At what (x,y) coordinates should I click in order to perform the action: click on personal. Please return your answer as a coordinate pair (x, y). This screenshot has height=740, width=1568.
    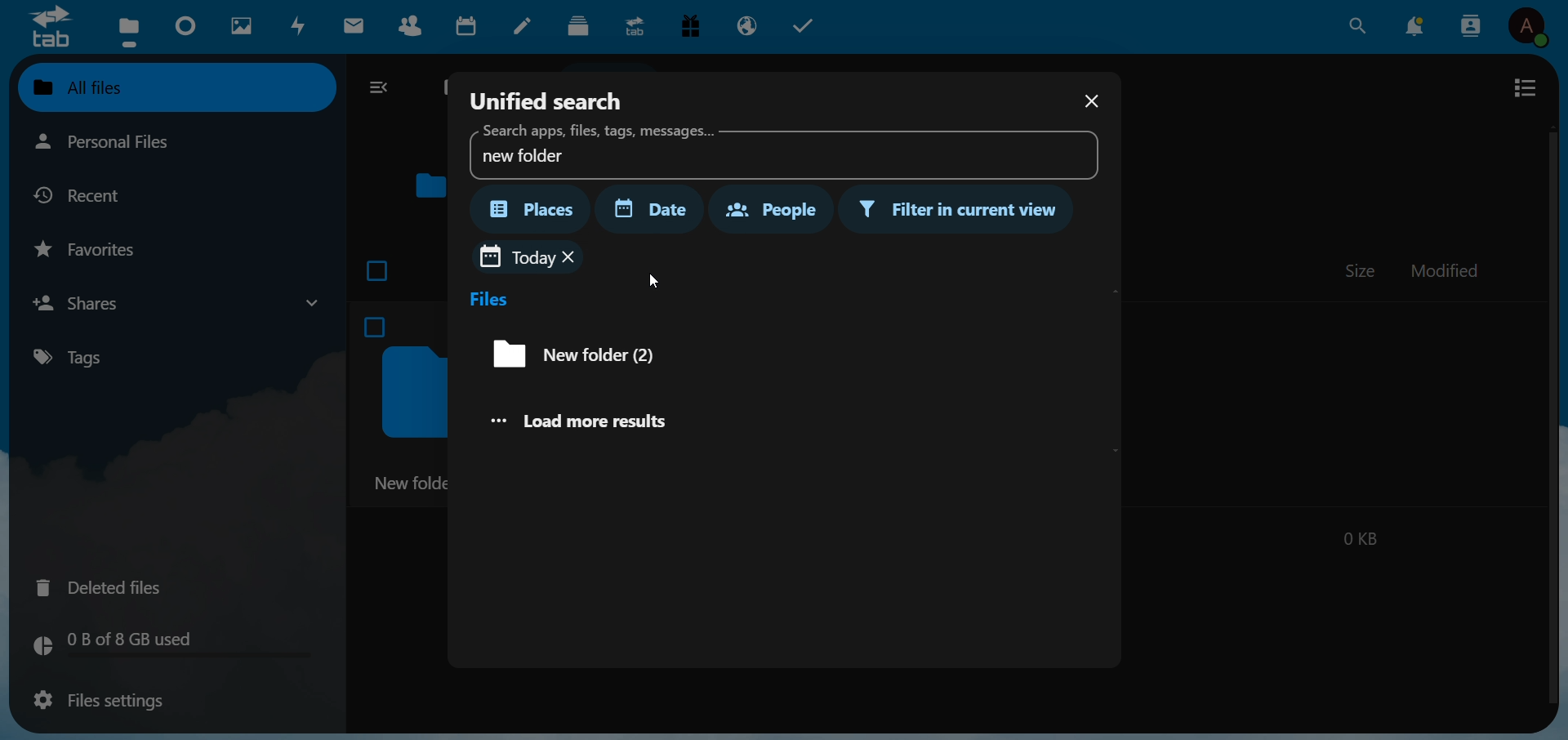
    Looking at the image, I should click on (138, 143).